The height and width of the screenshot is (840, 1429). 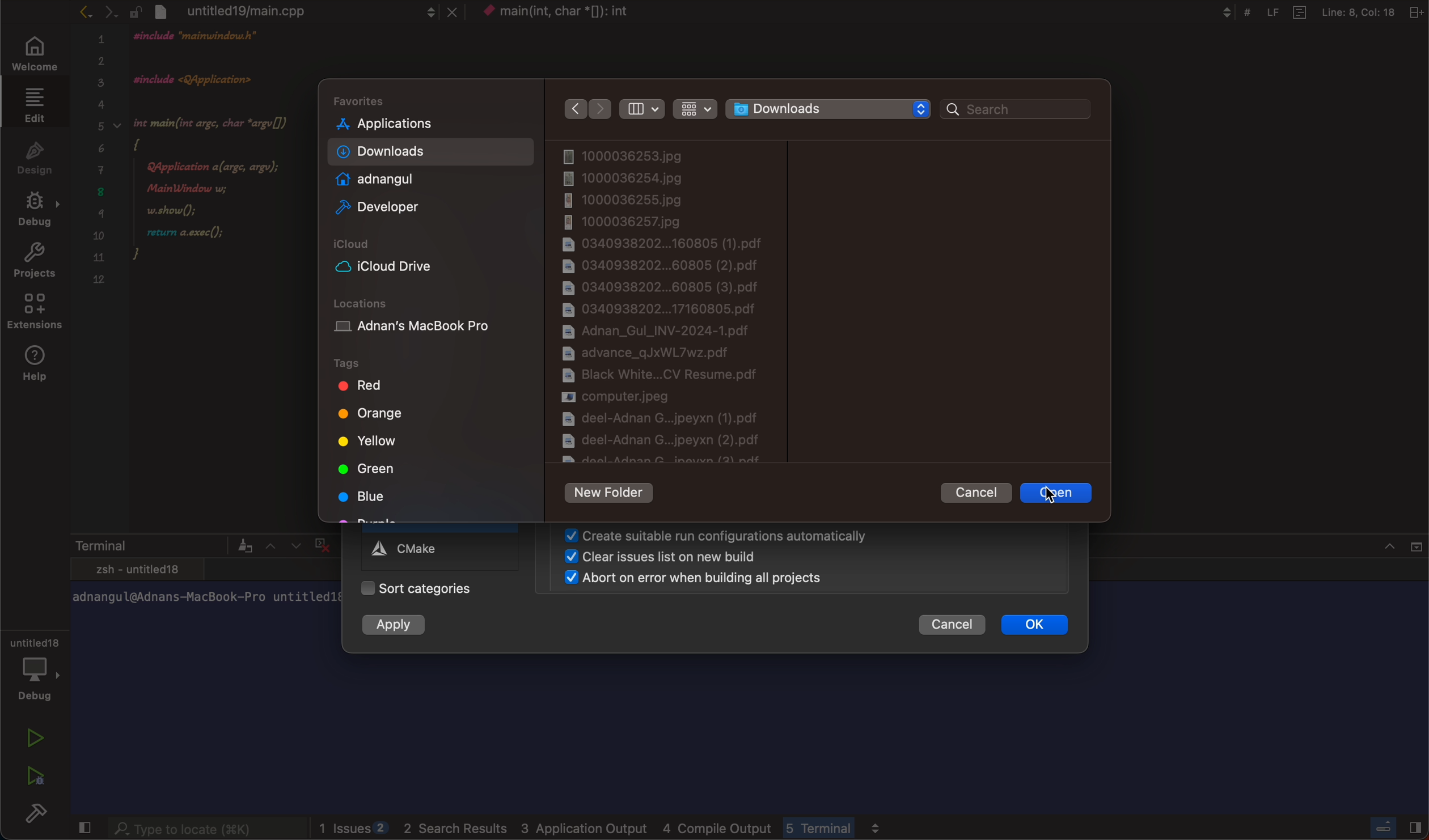 I want to click on folder selector, so click(x=828, y=109).